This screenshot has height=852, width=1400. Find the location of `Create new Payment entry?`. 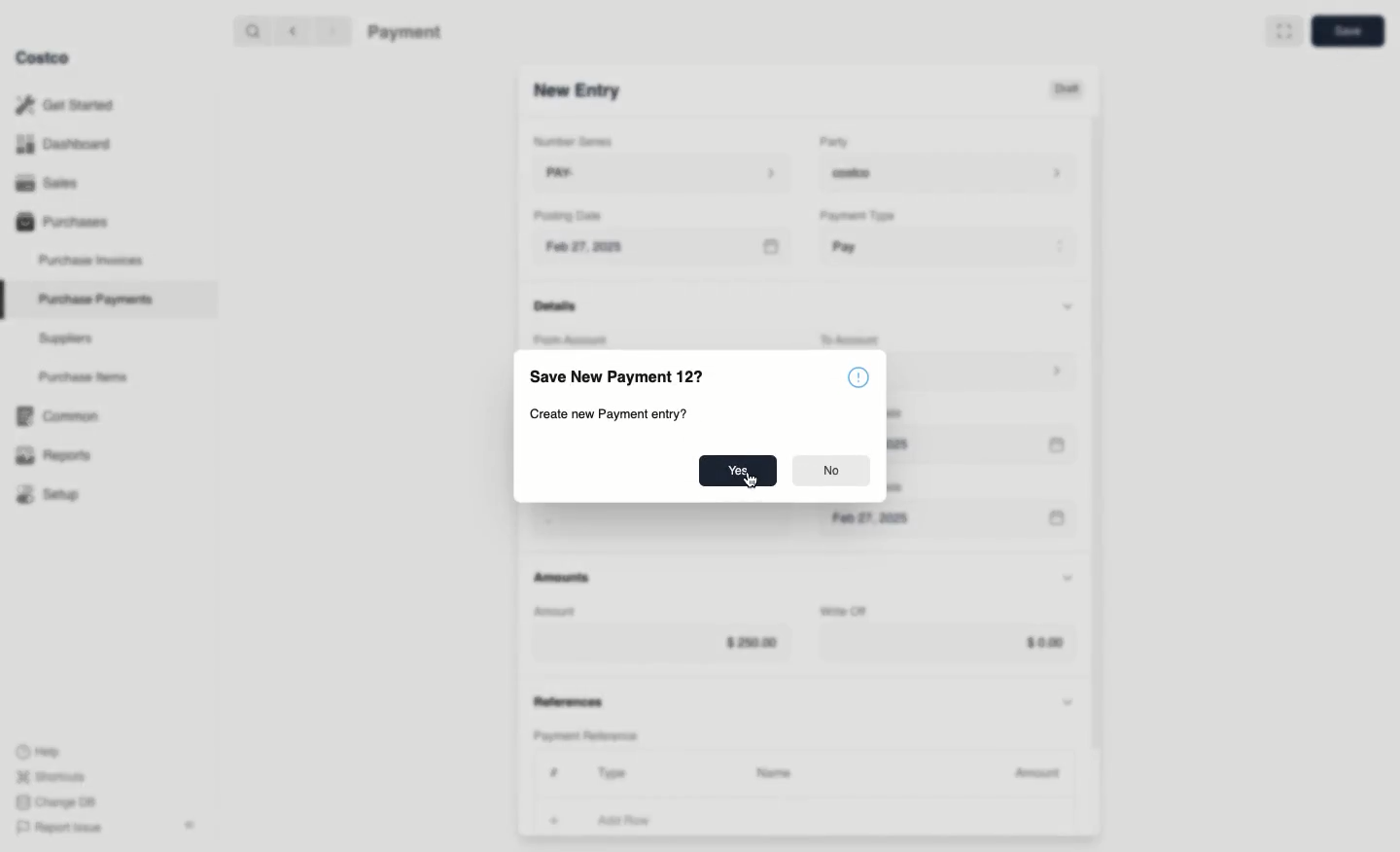

Create new Payment entry? is located at coordinates (609, 414).